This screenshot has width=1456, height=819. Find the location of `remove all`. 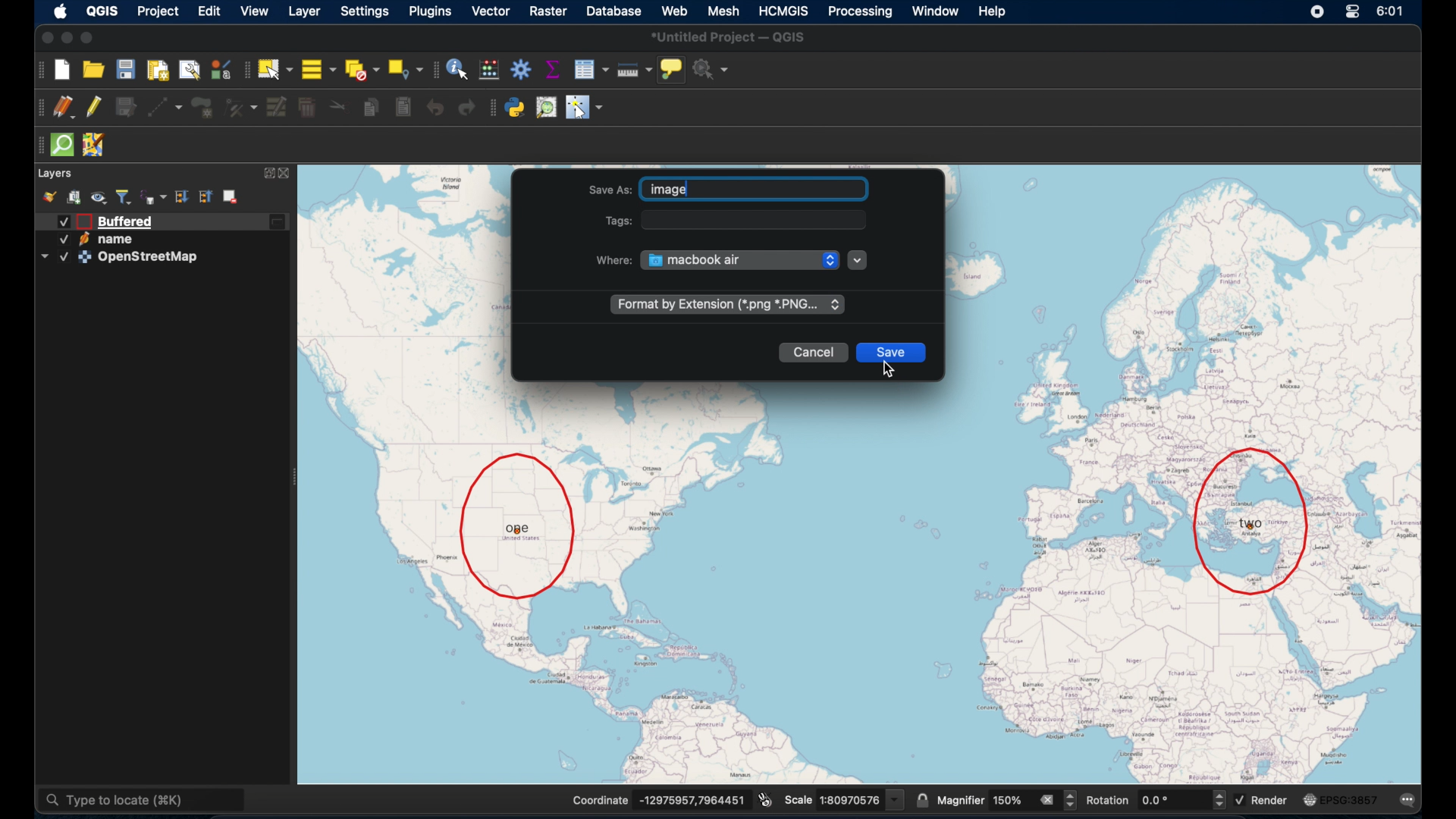

remove all is located at coordinates (1046, 799).